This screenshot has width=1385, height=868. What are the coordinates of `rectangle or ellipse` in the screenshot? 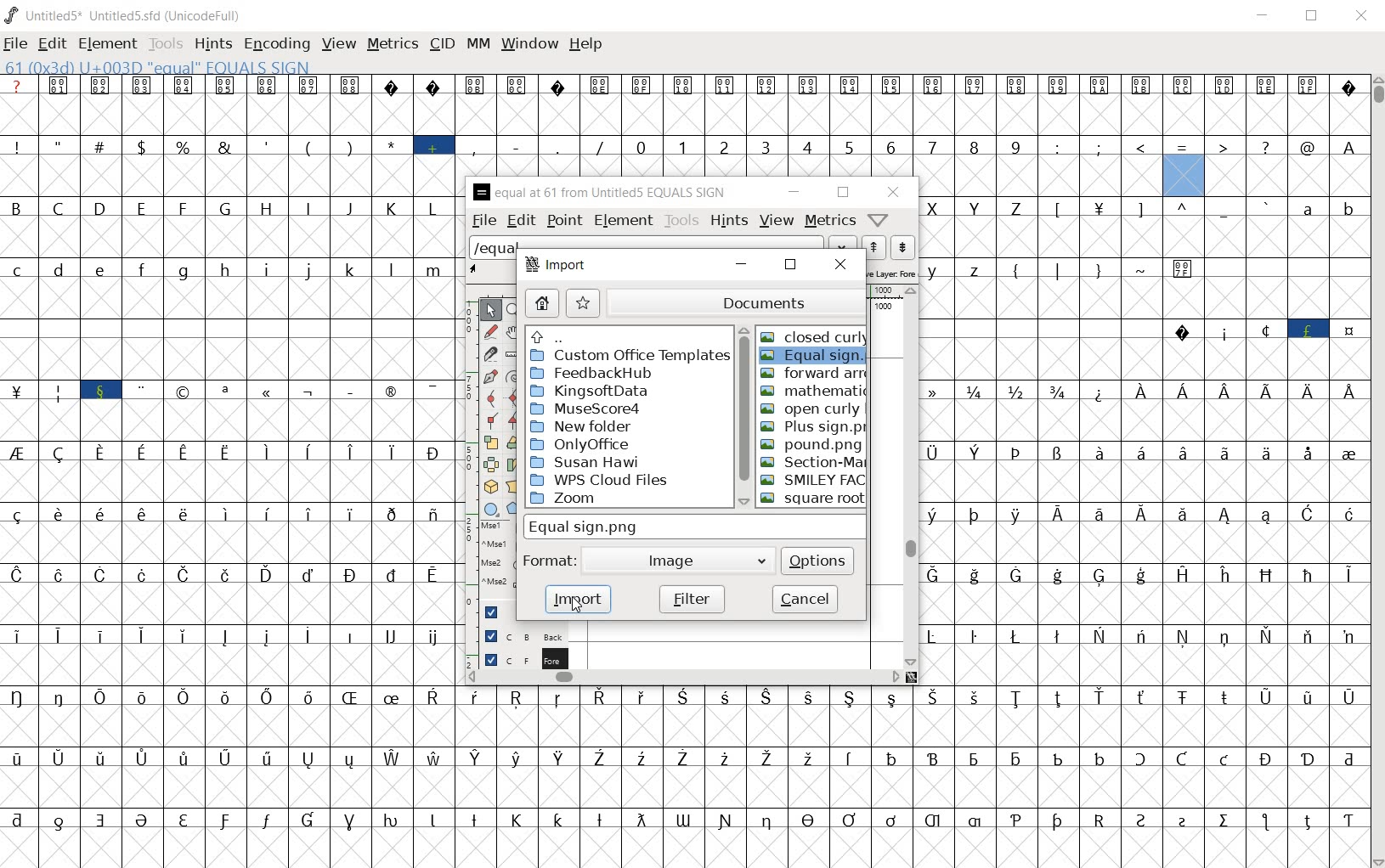 It's located at (492, 509).